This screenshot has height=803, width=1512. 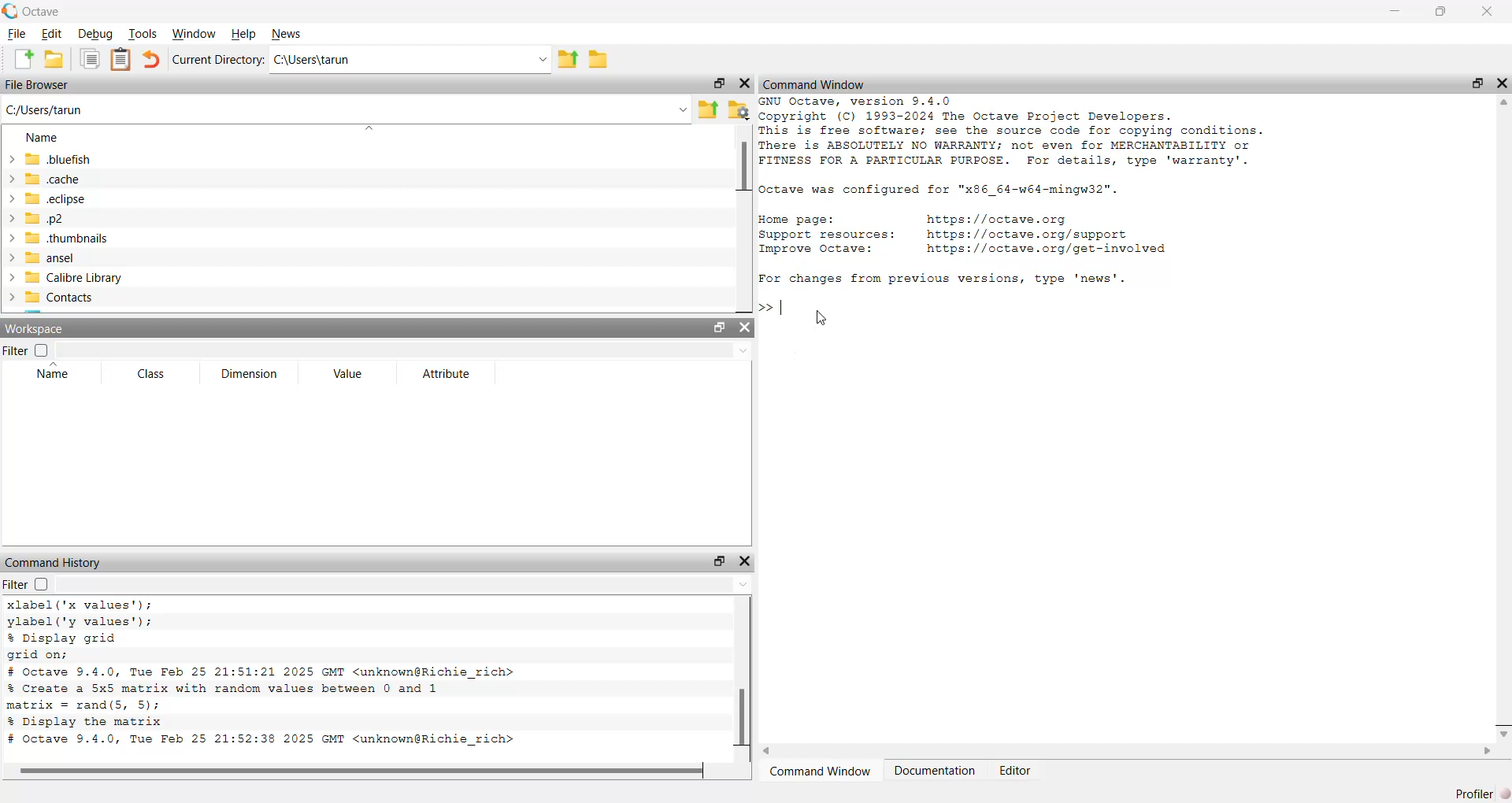 What do you see at coordinates (332, 676) in the screenshot?
I see `xlabel('x values’);

ylabel ('y values');

% Display grid

grid on;

# octave 9.4.0, Tue Feb 25 21:51:21 2025 GMT <unknown@Richie_rich>
% Create a 5x5 matrix with random values between 0 and 1

matrix = rand(S, 5);

% Display the matrix

# octave 9.4.0, Tue Feb 25 21:52:38 2025 GMT <unknown@Richie_rich>` at bounding box center [332, 676].